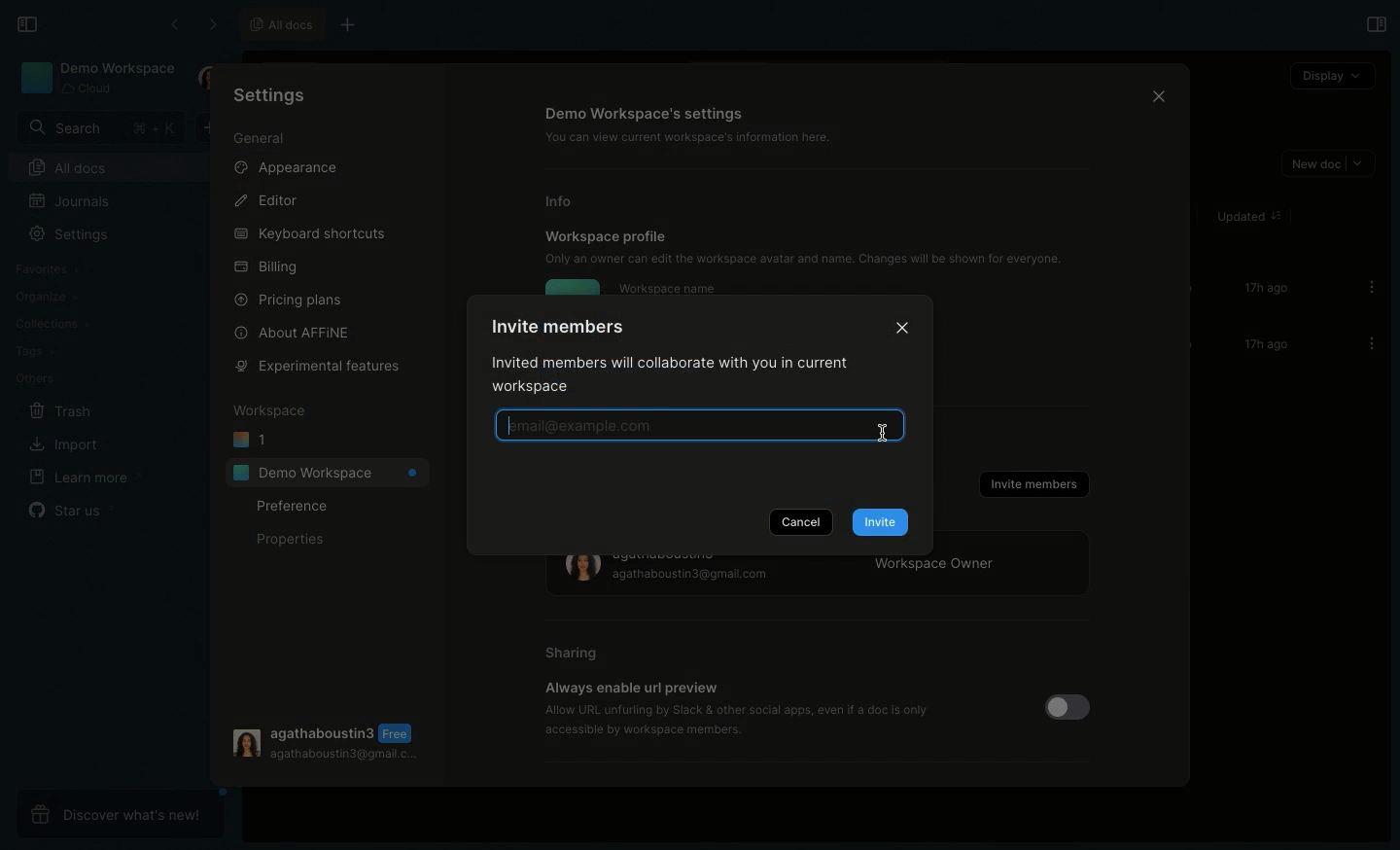 The width and height of the screenshot is (1400, 850). Describe the element at coordinates (607, 235) in the screenshot. I see `Workspace profile` at that location.